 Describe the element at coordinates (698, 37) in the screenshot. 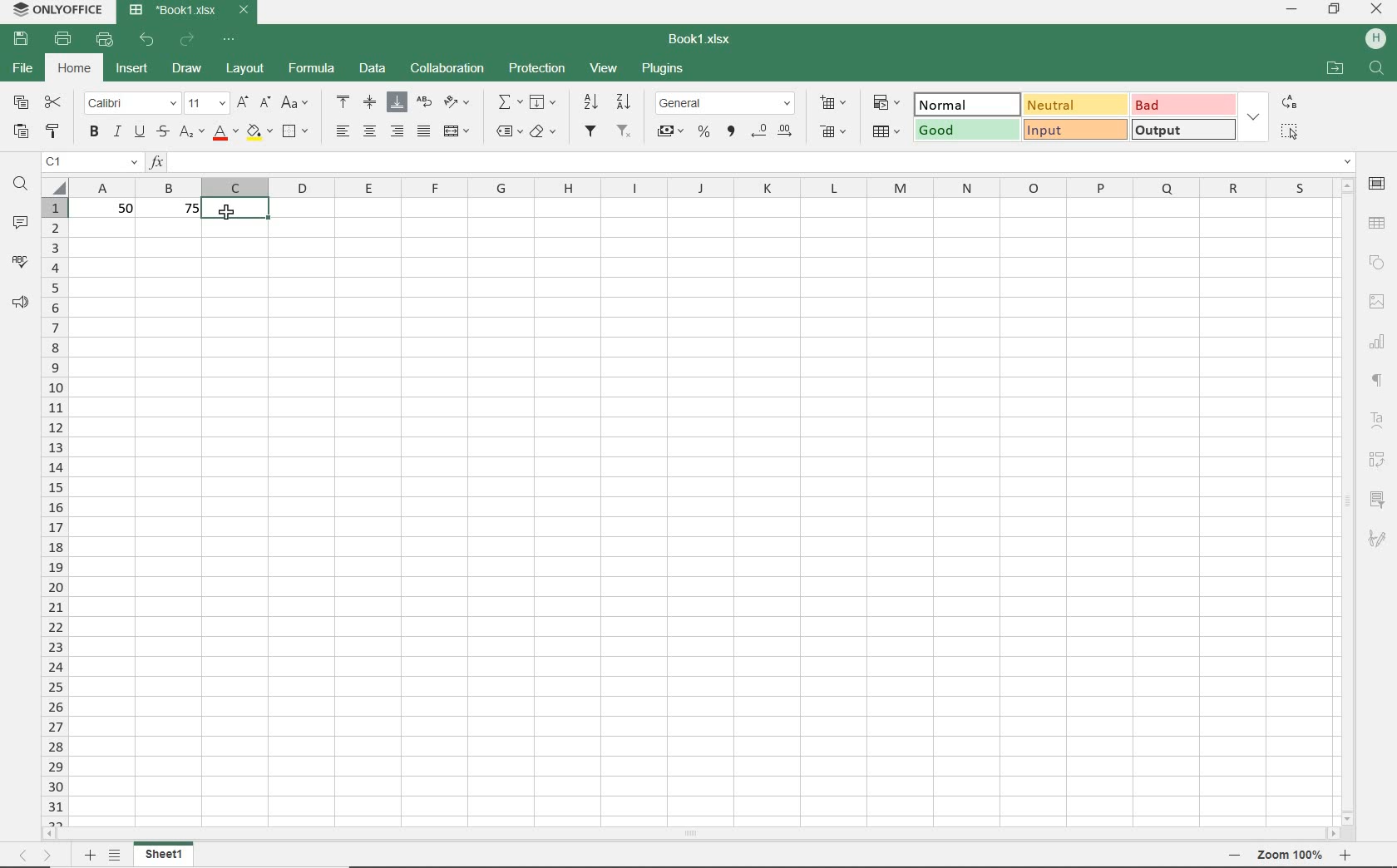

I see `file name` at that location.